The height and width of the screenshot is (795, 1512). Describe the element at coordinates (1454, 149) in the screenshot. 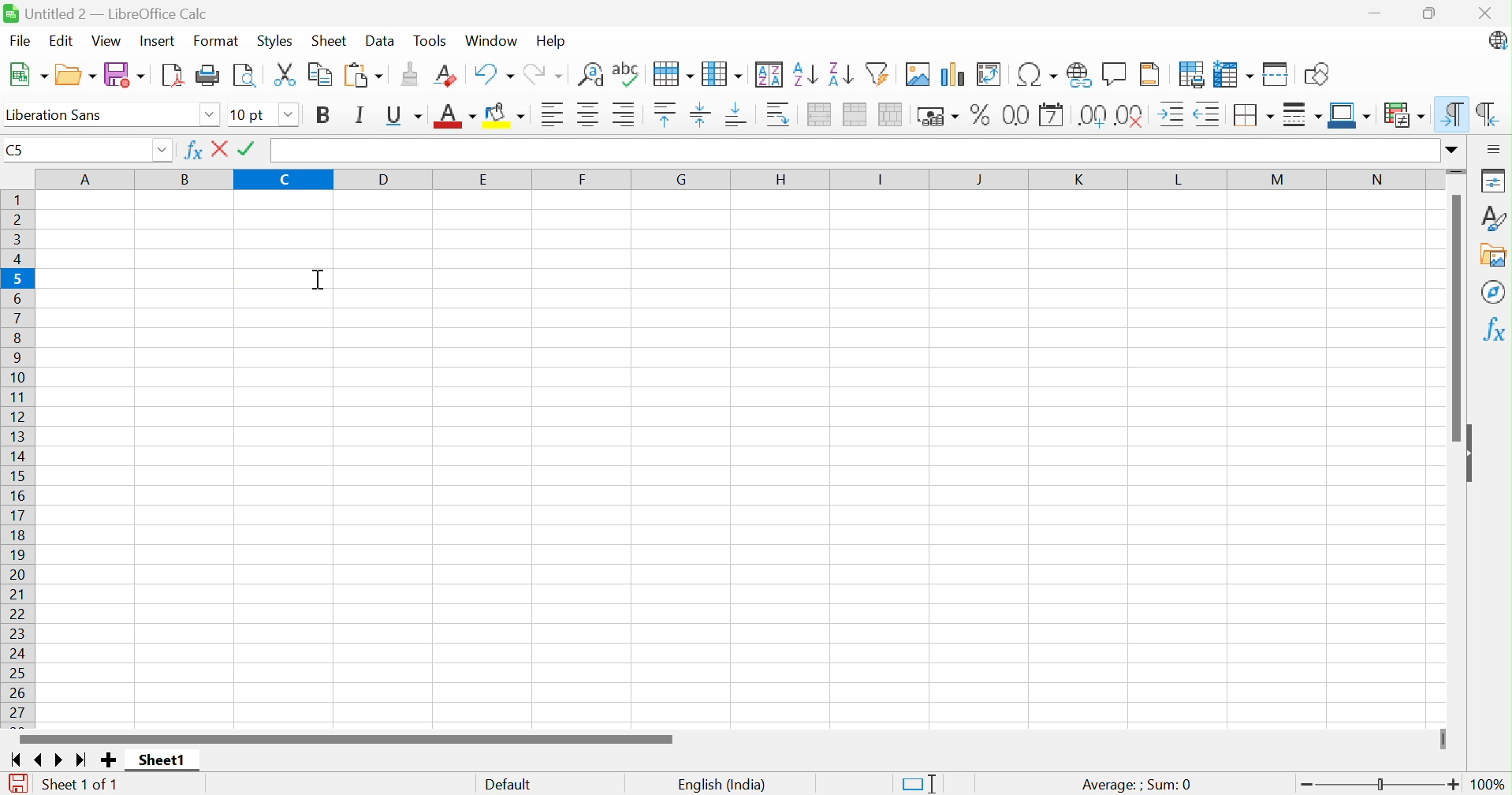

I see `Expand formula` at that location.